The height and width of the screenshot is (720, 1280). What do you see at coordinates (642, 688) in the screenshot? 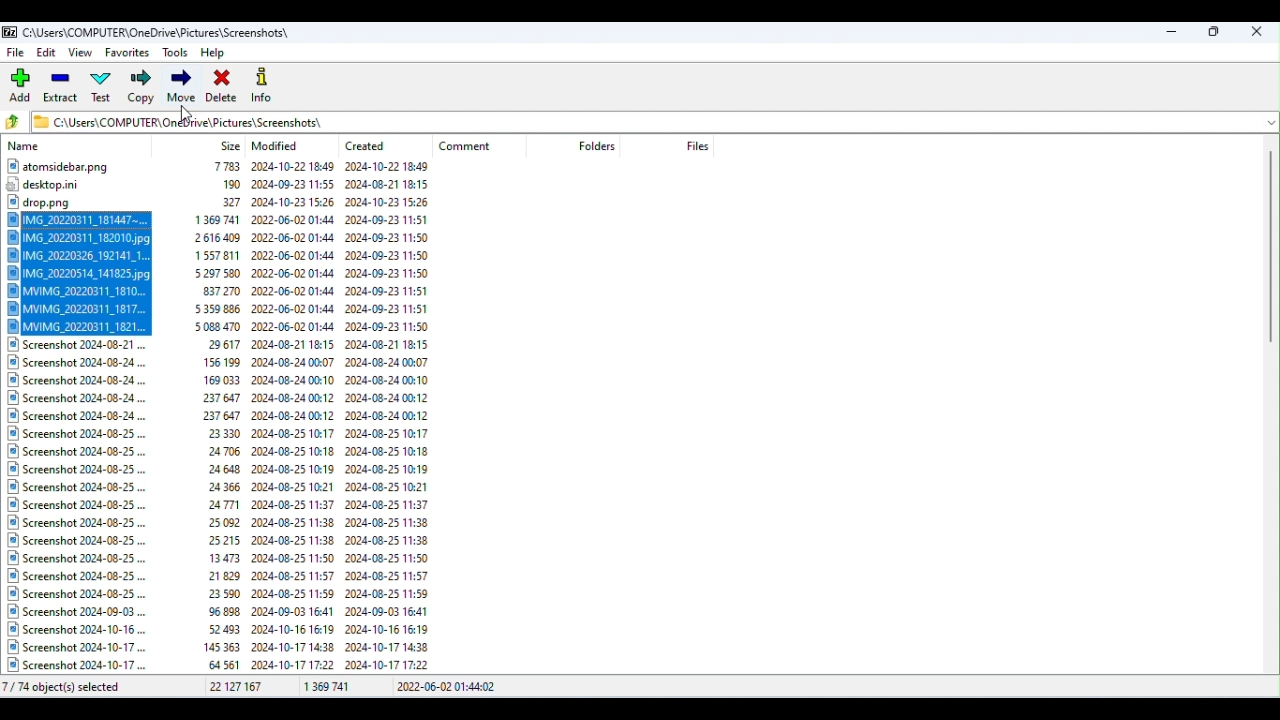
I see `Status bar` at bounding box center [642, 688].